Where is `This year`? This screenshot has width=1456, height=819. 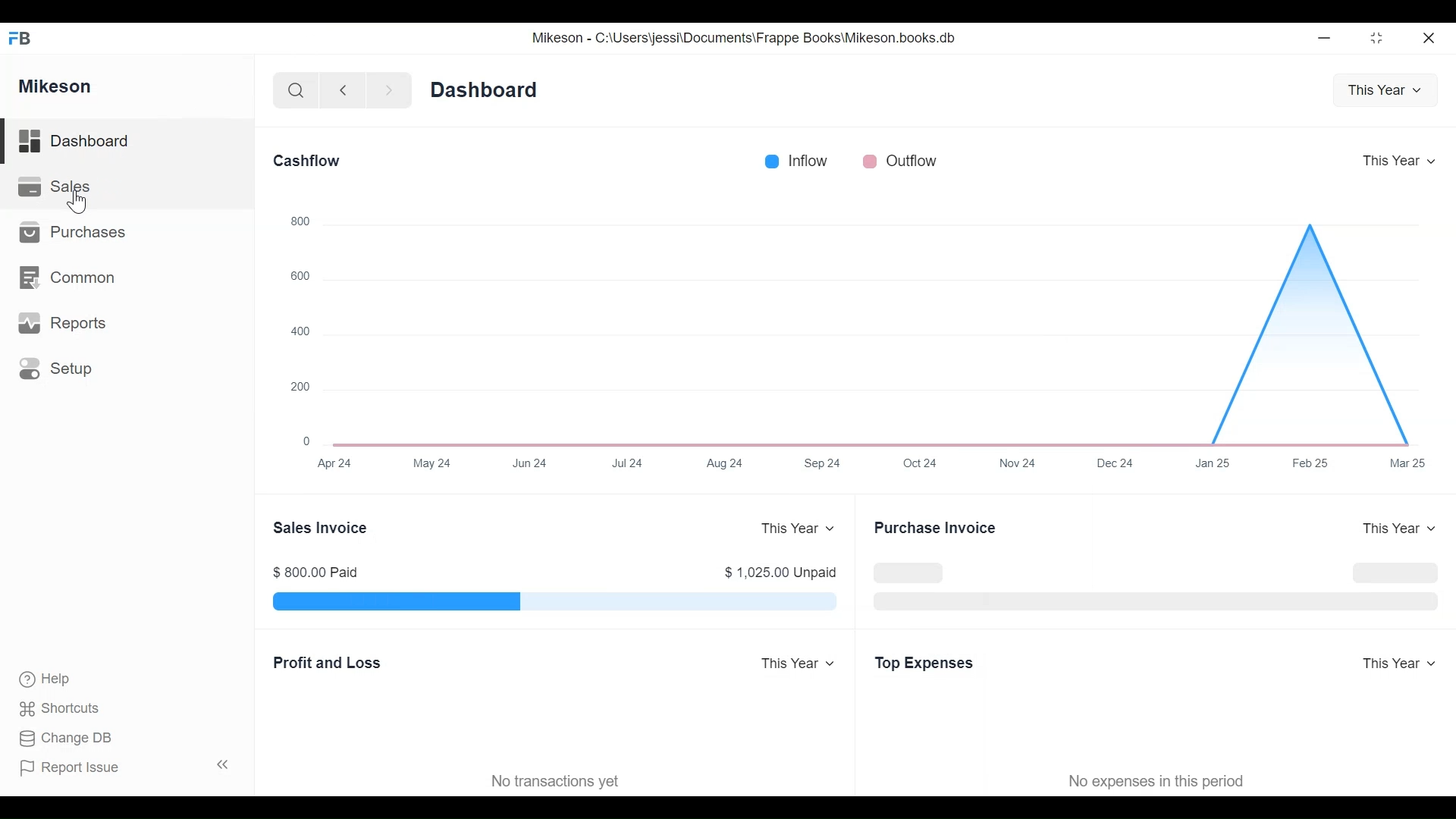
This year is located at coordinates (1394, 530).